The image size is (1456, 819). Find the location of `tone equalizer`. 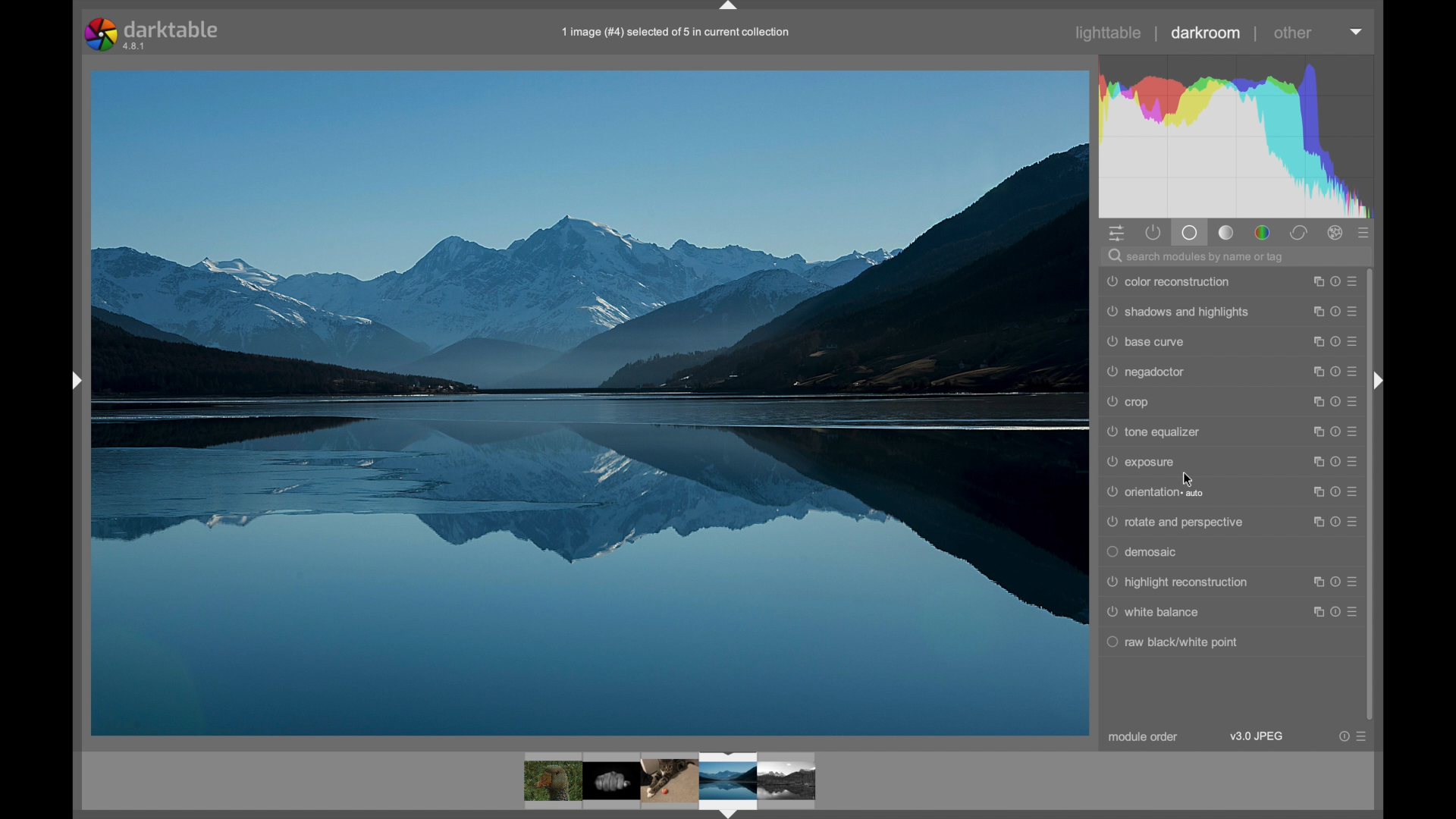

tone equalizer is located at coordinates (1154, 432).